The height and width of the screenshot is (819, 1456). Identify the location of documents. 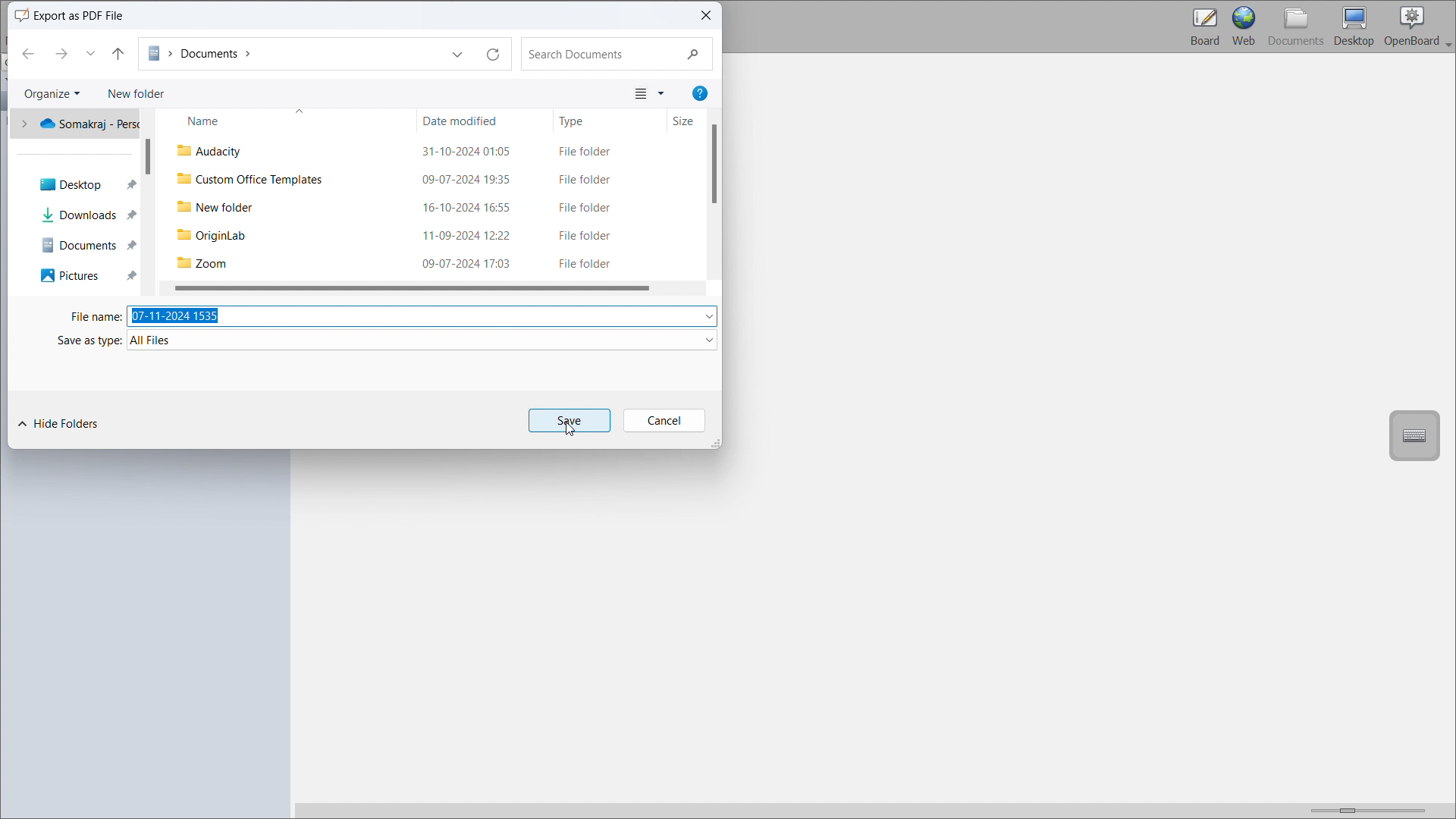
(80, 246).